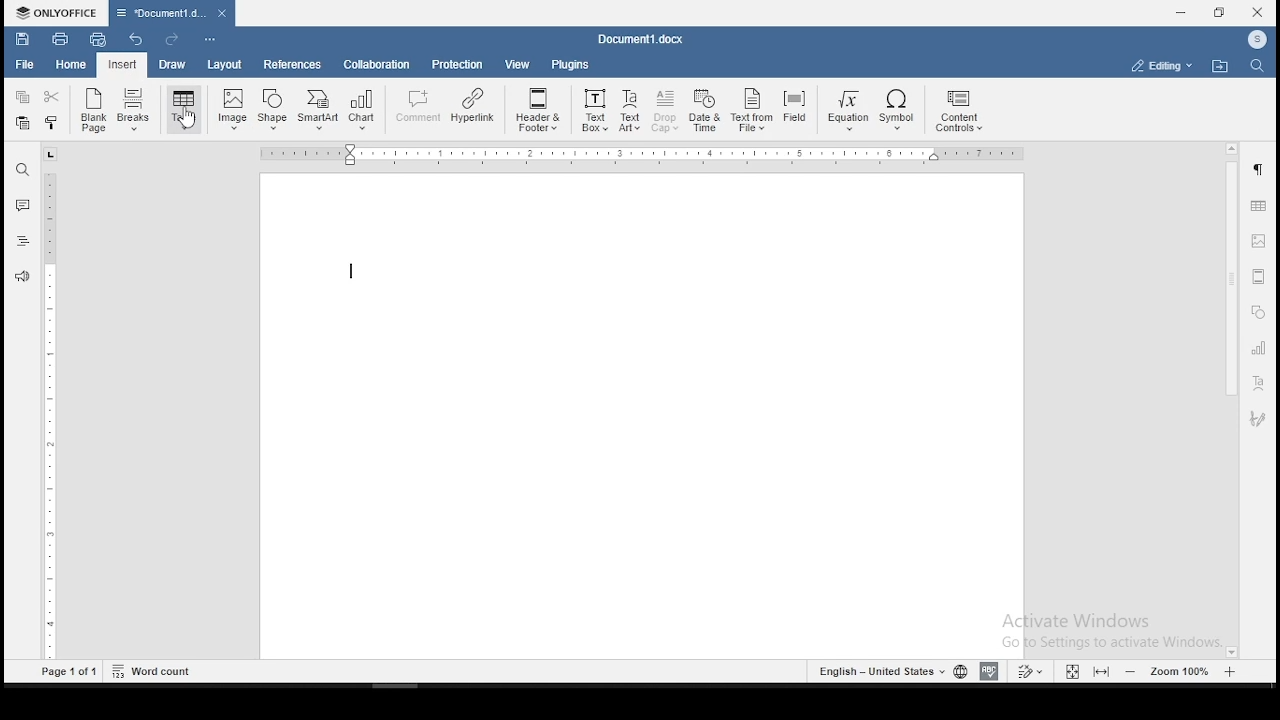 This screenshot has width=1280, height=720. Describe the element at coordinates (60, 38) in the screenshot. I see `print file` at that location.